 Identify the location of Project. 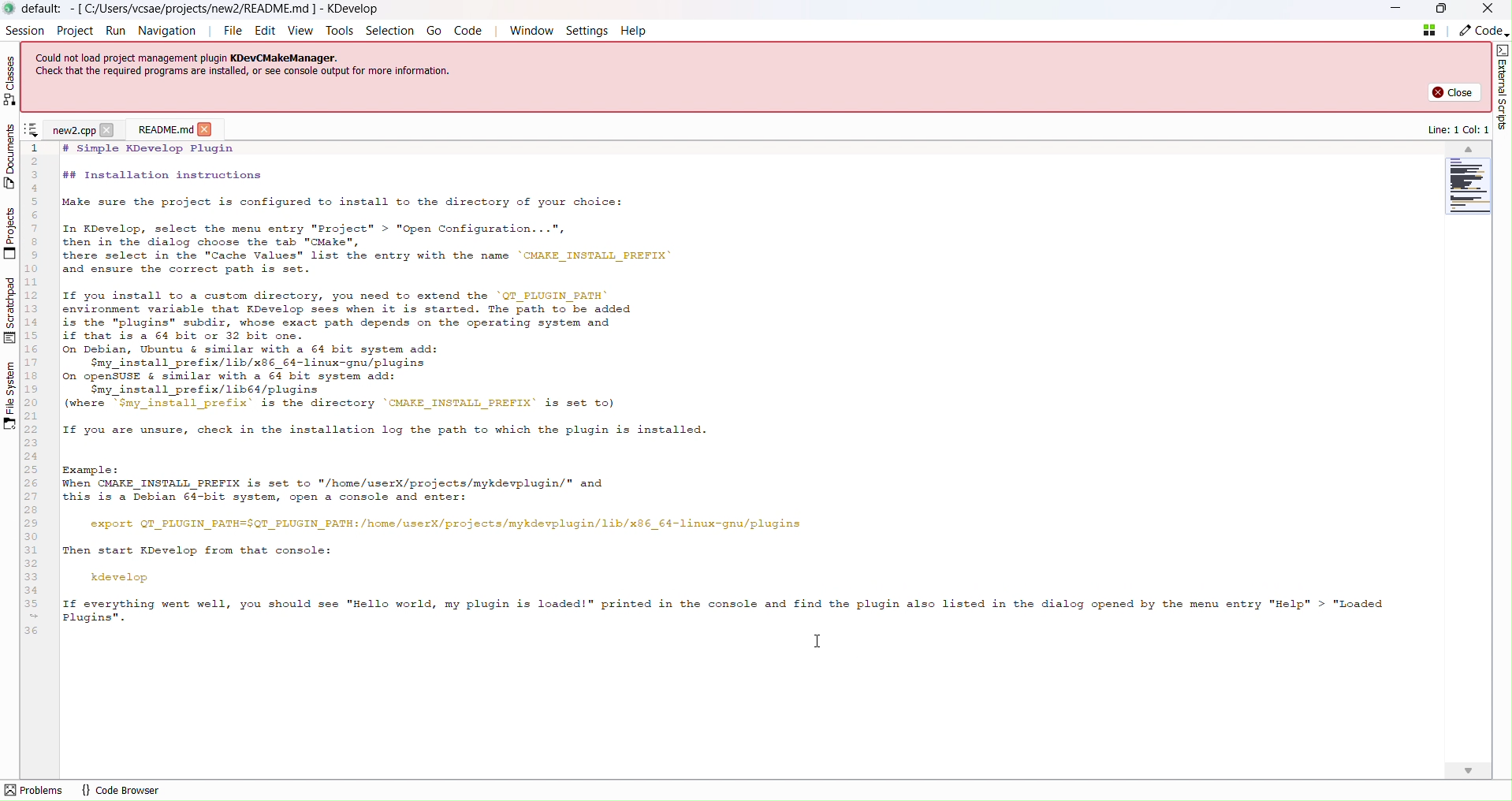
(74, 29).